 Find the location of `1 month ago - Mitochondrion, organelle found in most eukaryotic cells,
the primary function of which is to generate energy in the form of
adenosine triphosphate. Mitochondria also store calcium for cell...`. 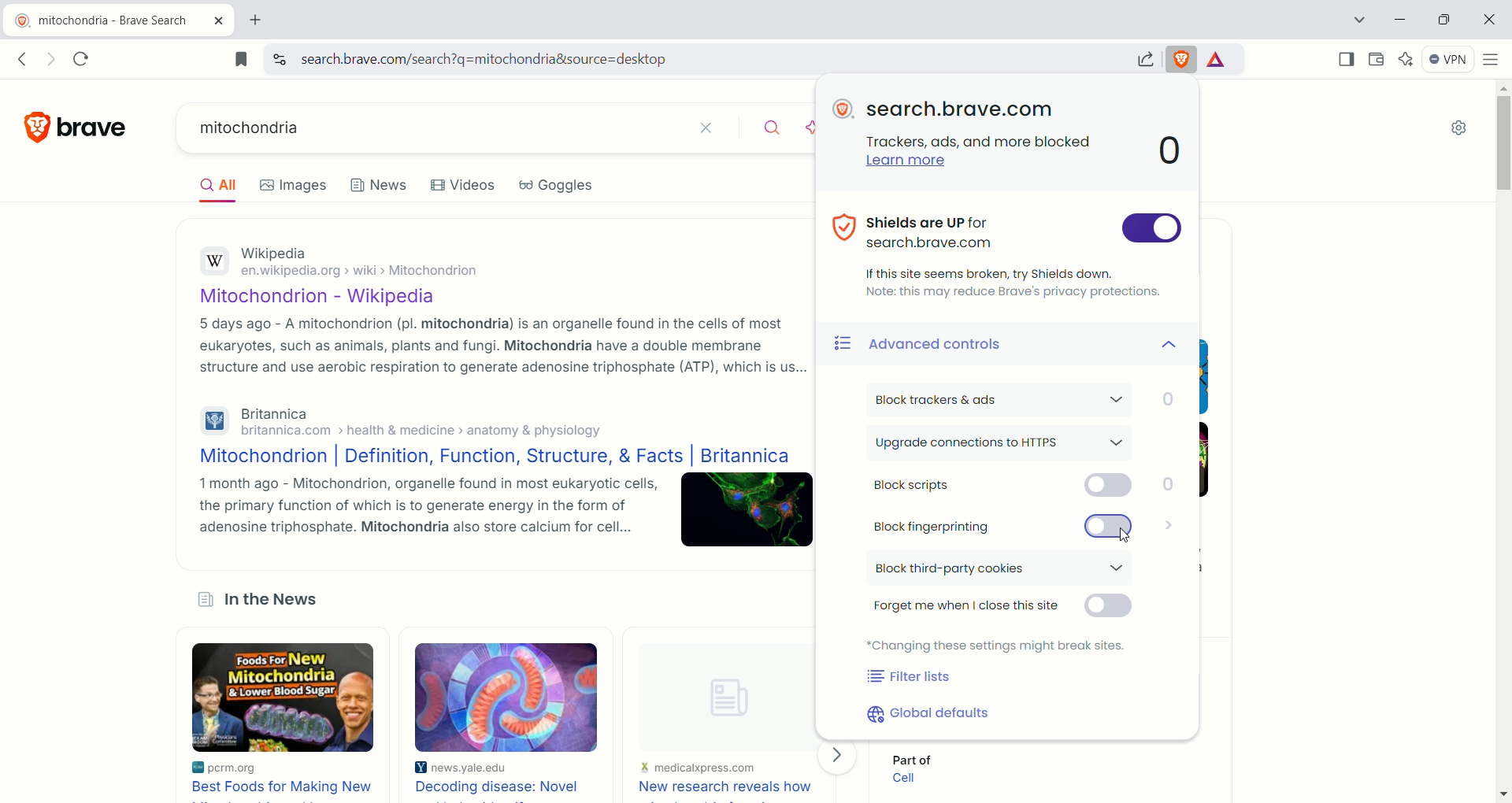

1 month ago - Mitochondrion, organelle found in most eukaryotic cells,
the primary function of which is to generate energy in the form of
adenosine triphosphate. Mitochondria also store calcium for cell... is located at coordinates (429, 506).